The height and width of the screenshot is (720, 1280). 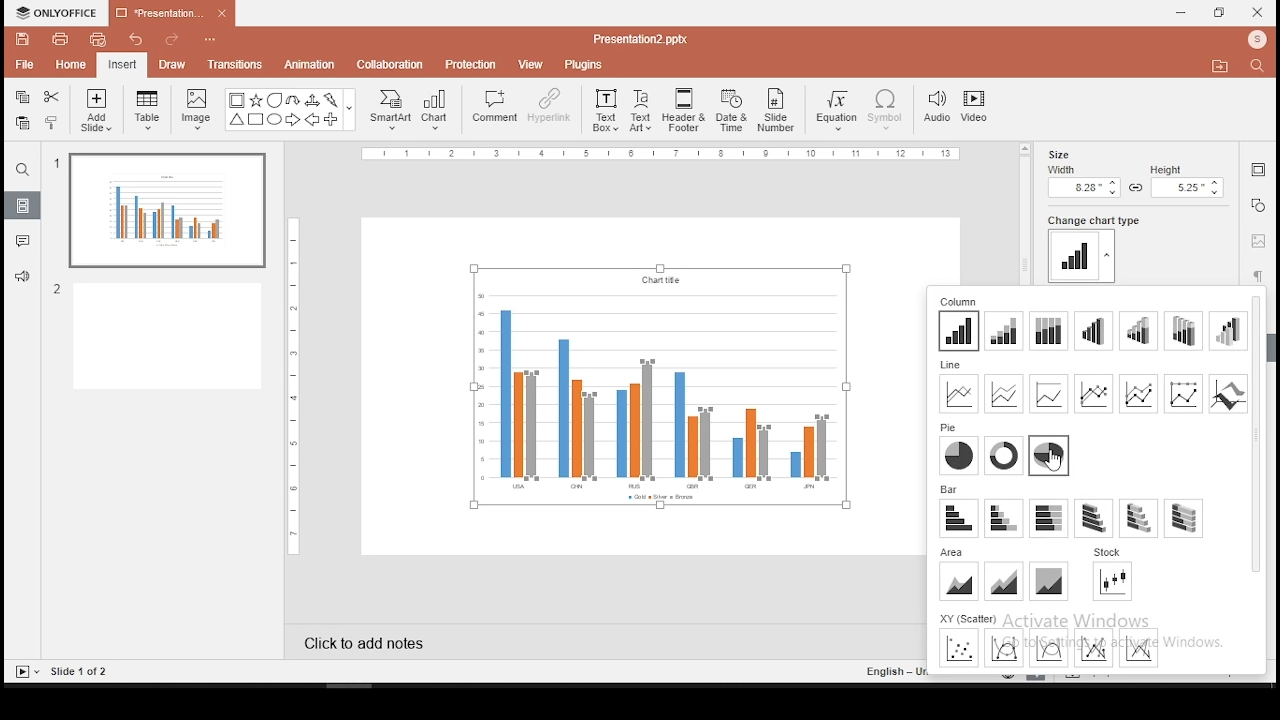 I want to click on bar 3, so click(x=1048, y=519).